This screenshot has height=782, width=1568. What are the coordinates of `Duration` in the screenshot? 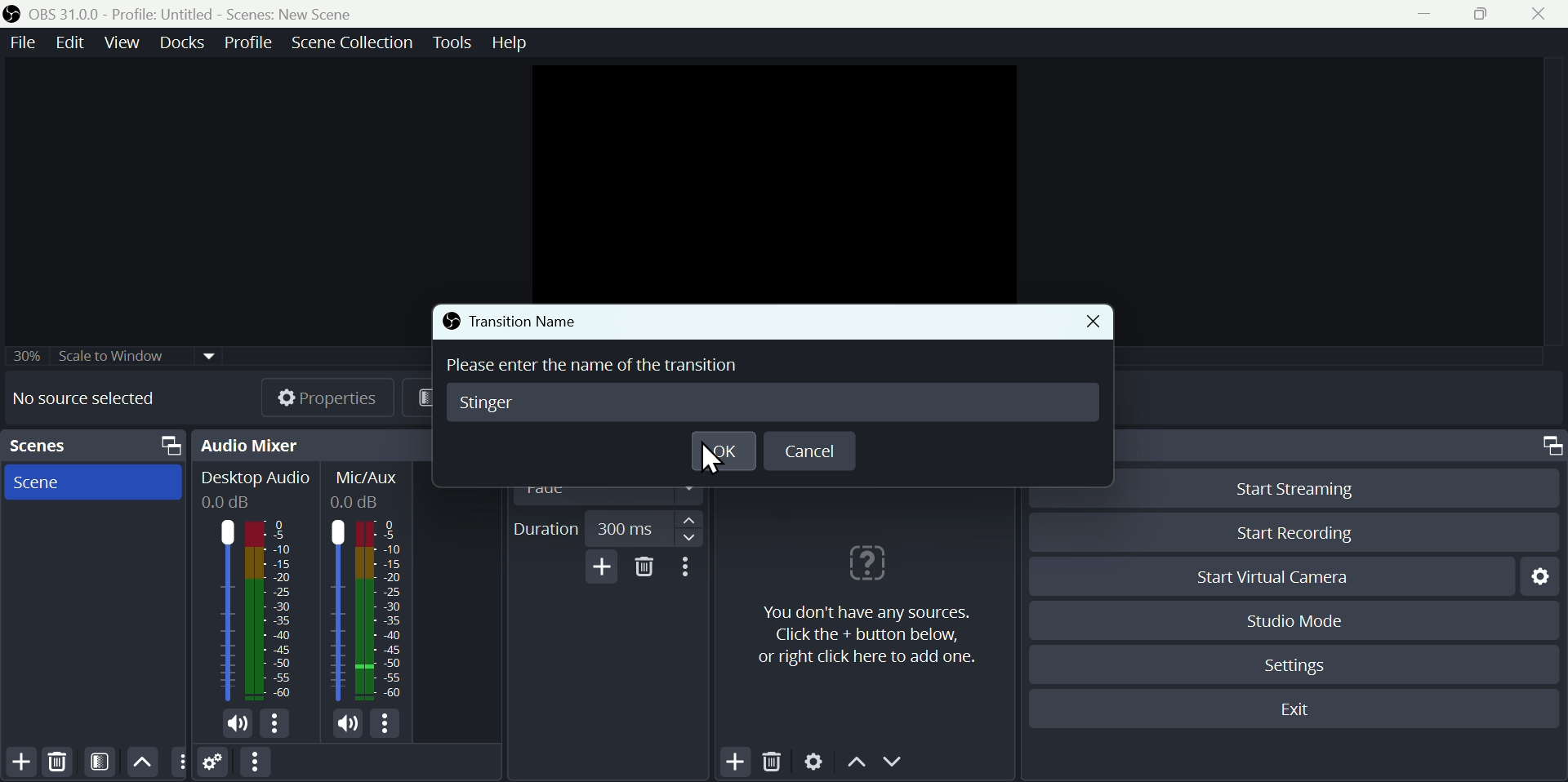 It's located at (547, 529).